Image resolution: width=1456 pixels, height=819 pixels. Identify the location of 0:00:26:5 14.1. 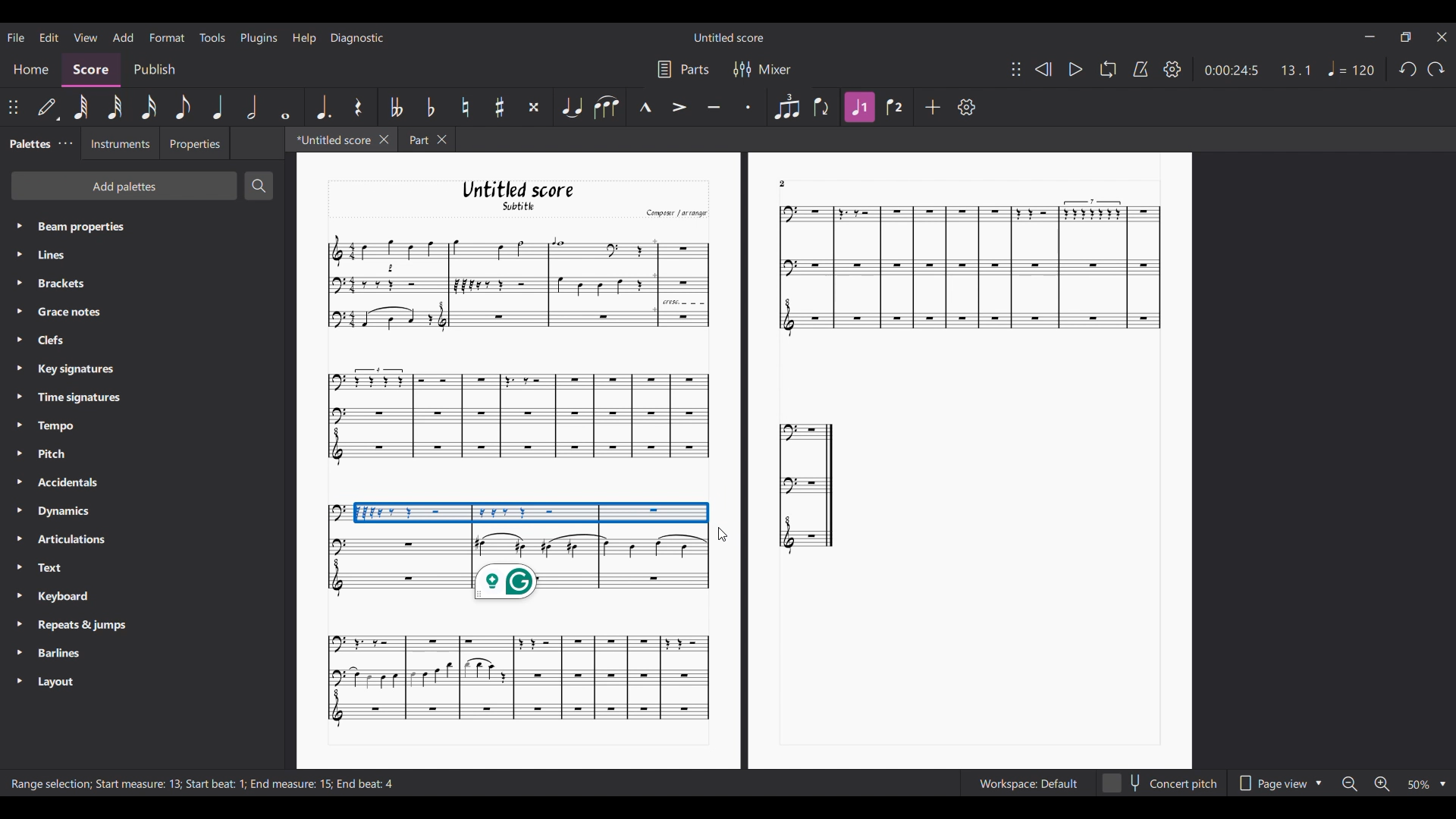
(1263, 69).